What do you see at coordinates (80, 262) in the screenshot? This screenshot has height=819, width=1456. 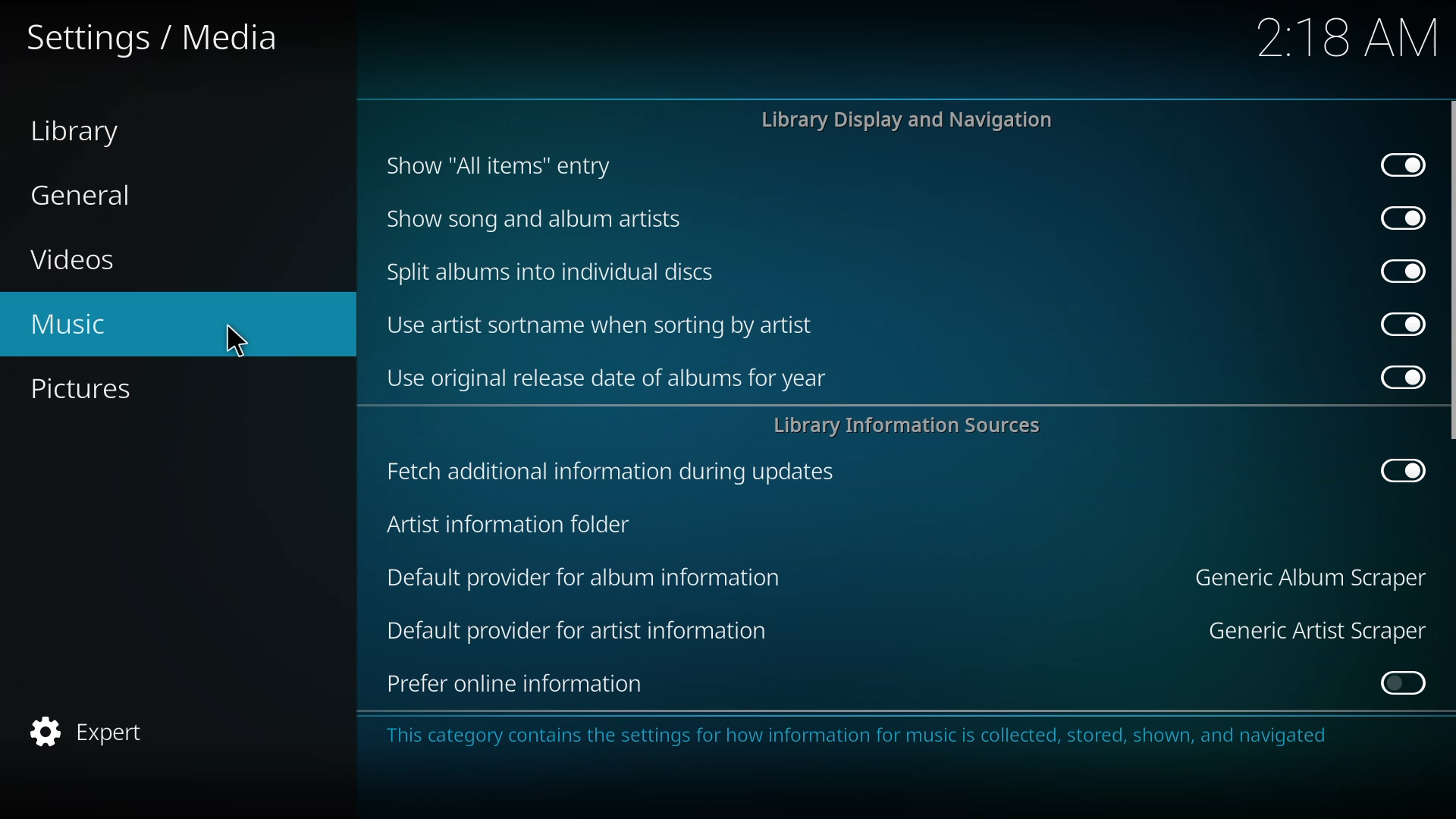 I see `videos` at bounding box center [80, 262].